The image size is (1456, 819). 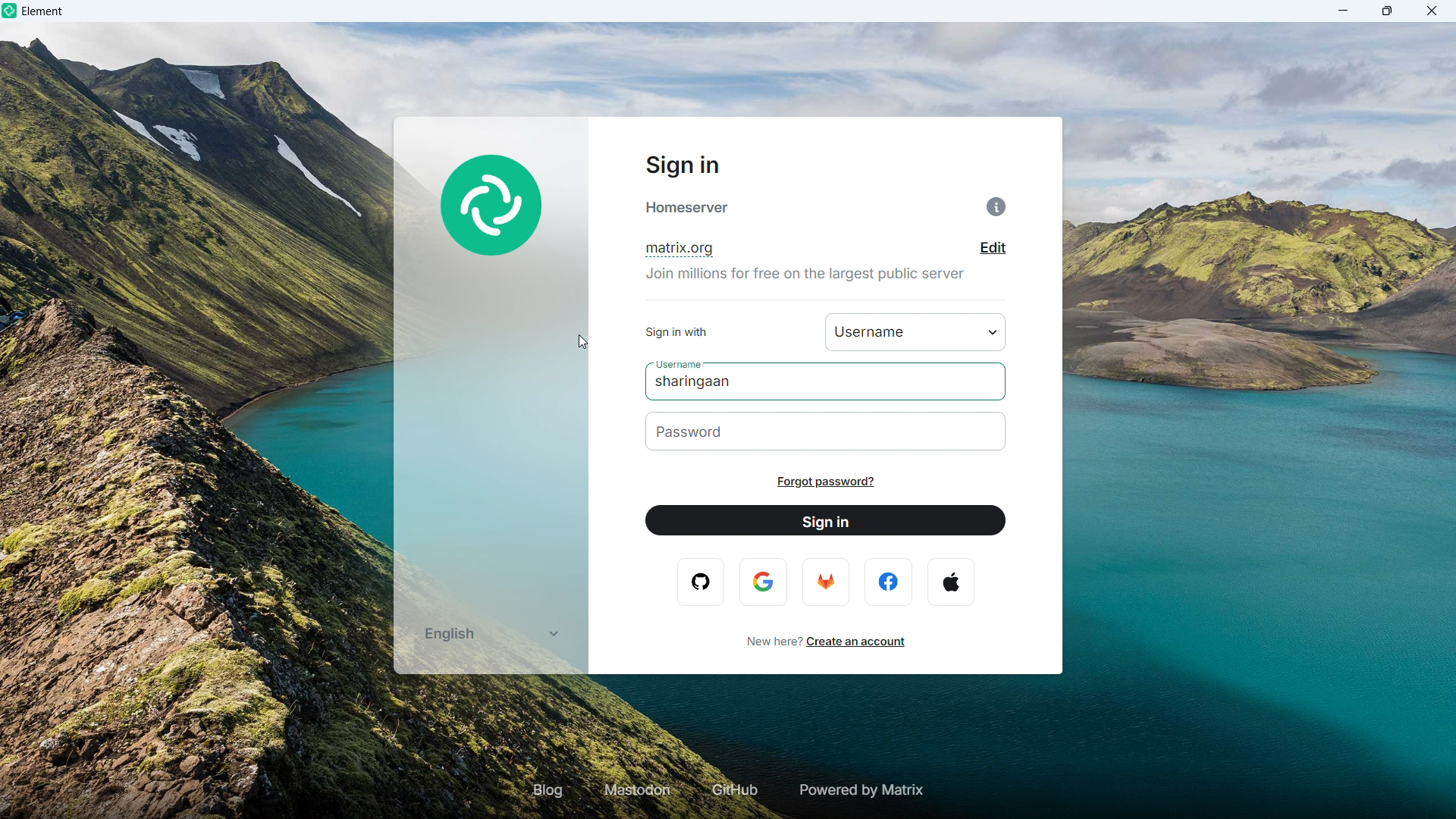 I want to click on Sign in , so click(x=680, y=166).